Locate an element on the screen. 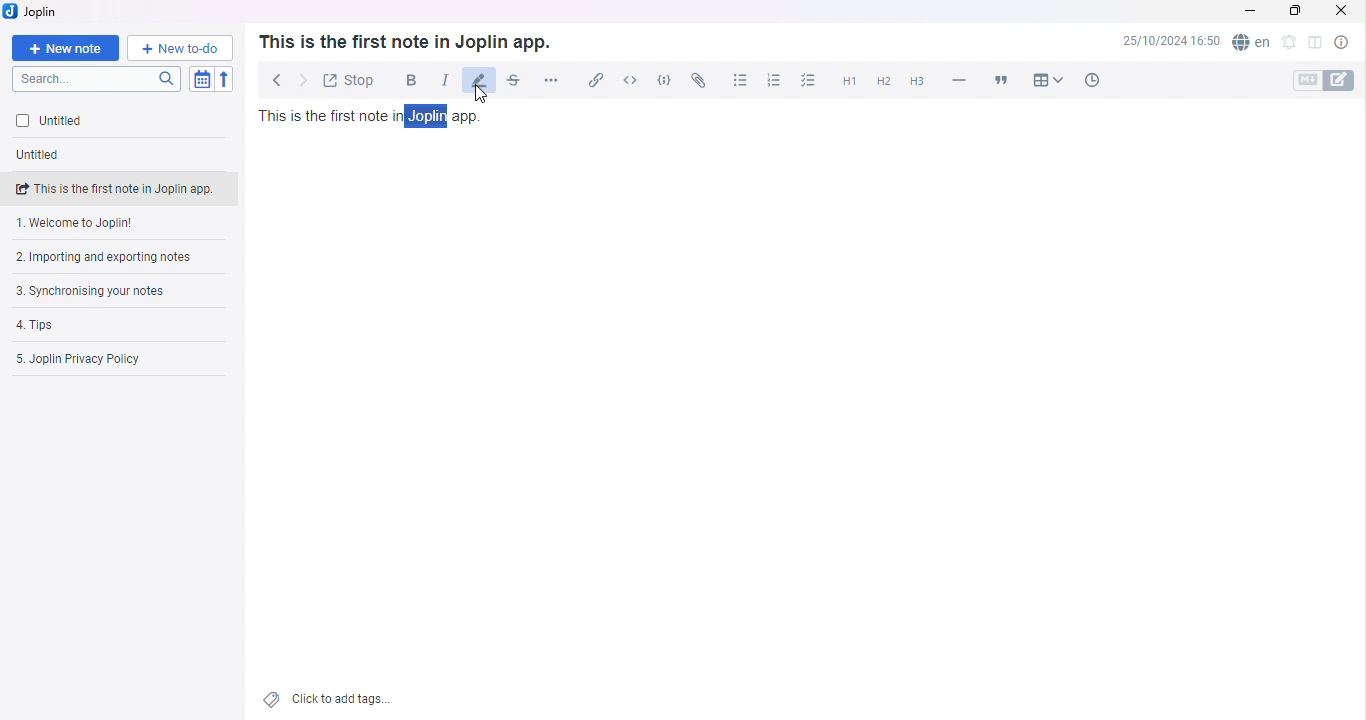 This screenshot has width=1366, height=720. Synchronising your notes is located at coordinates (103, 290).